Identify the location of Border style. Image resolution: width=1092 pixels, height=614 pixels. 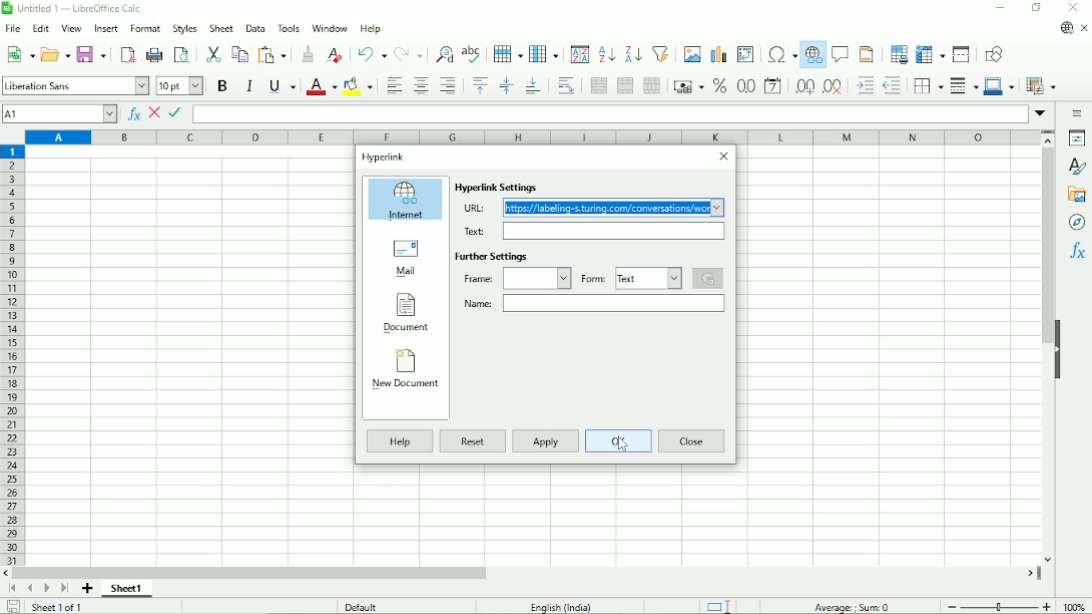
(964, 86).